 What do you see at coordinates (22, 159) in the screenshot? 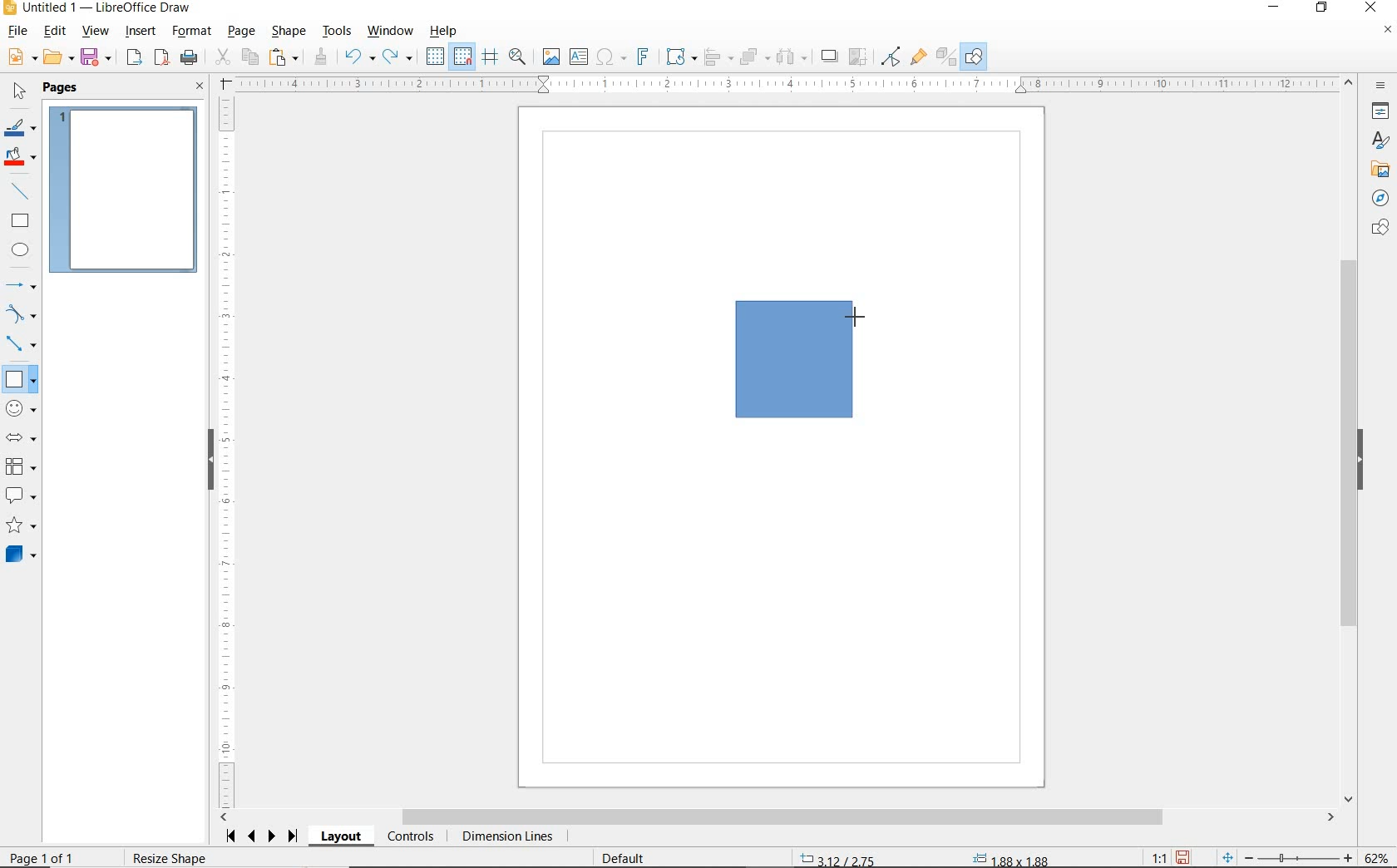
I see `FILL COLOR` at bounding box center [22, 159].